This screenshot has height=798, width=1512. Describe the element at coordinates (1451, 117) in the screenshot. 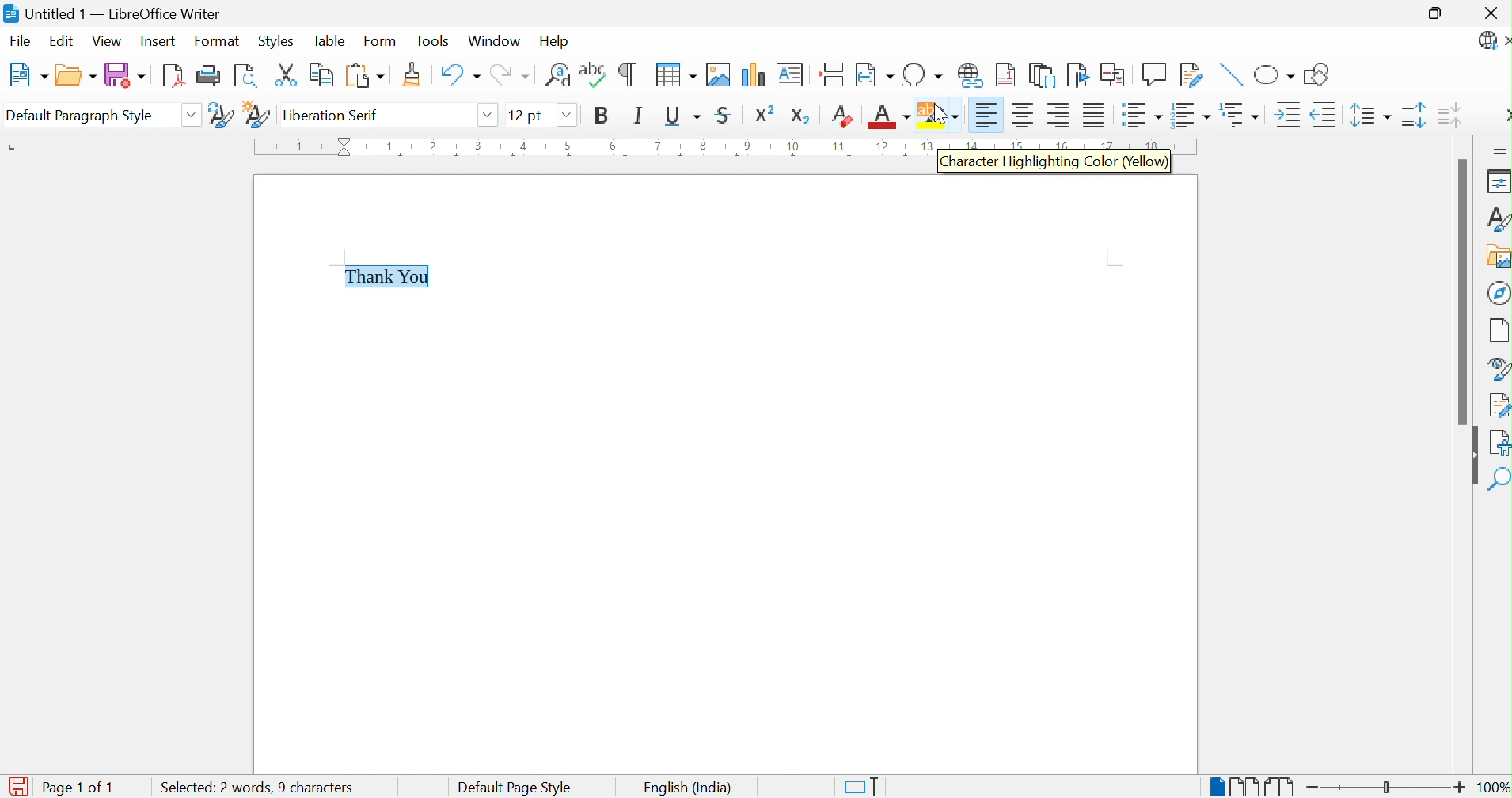

I see `Decrease Paragraph Spacing` at that location.